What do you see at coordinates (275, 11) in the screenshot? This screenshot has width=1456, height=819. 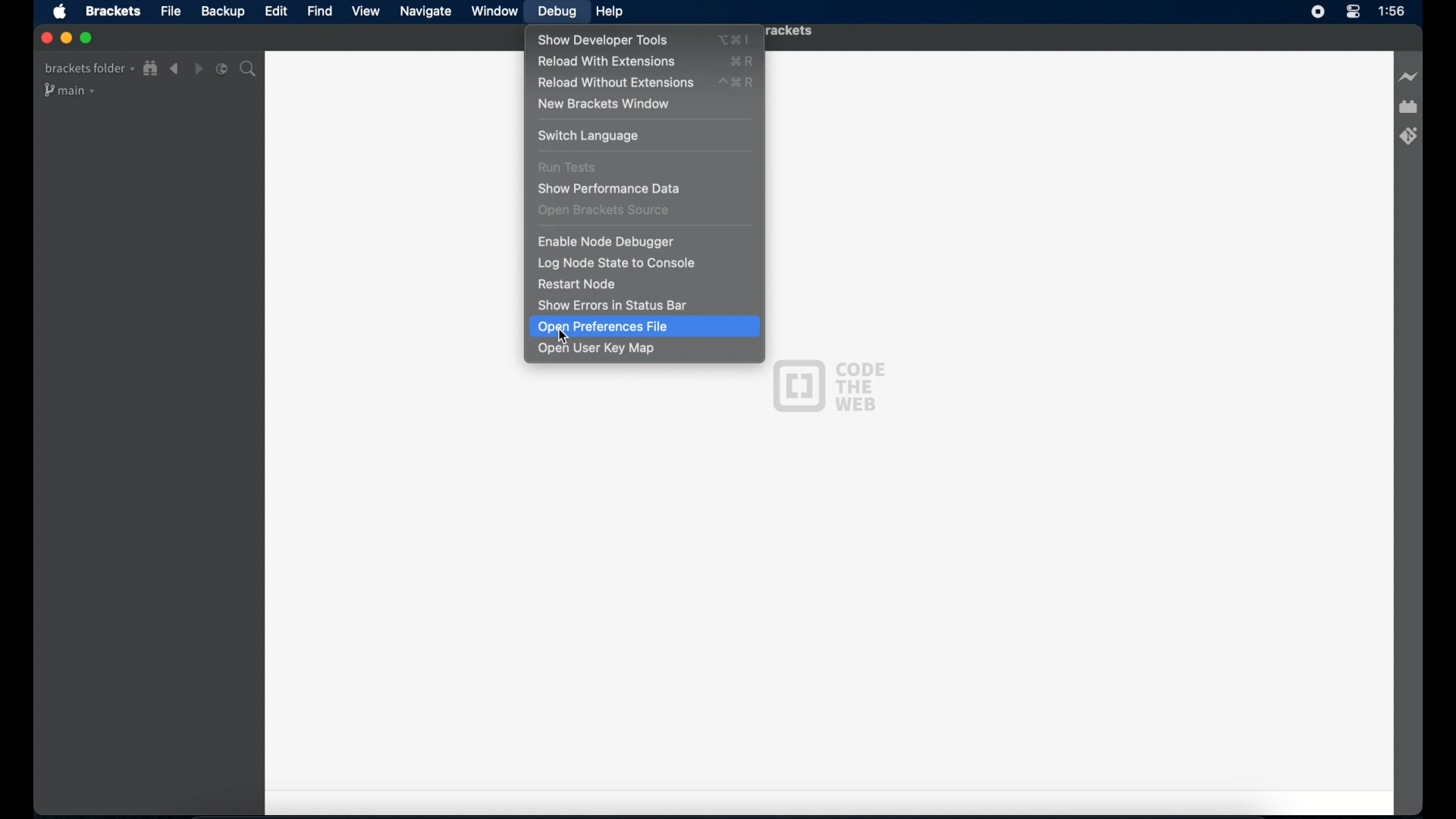 I see `edit` at bounding box center [275, 11].